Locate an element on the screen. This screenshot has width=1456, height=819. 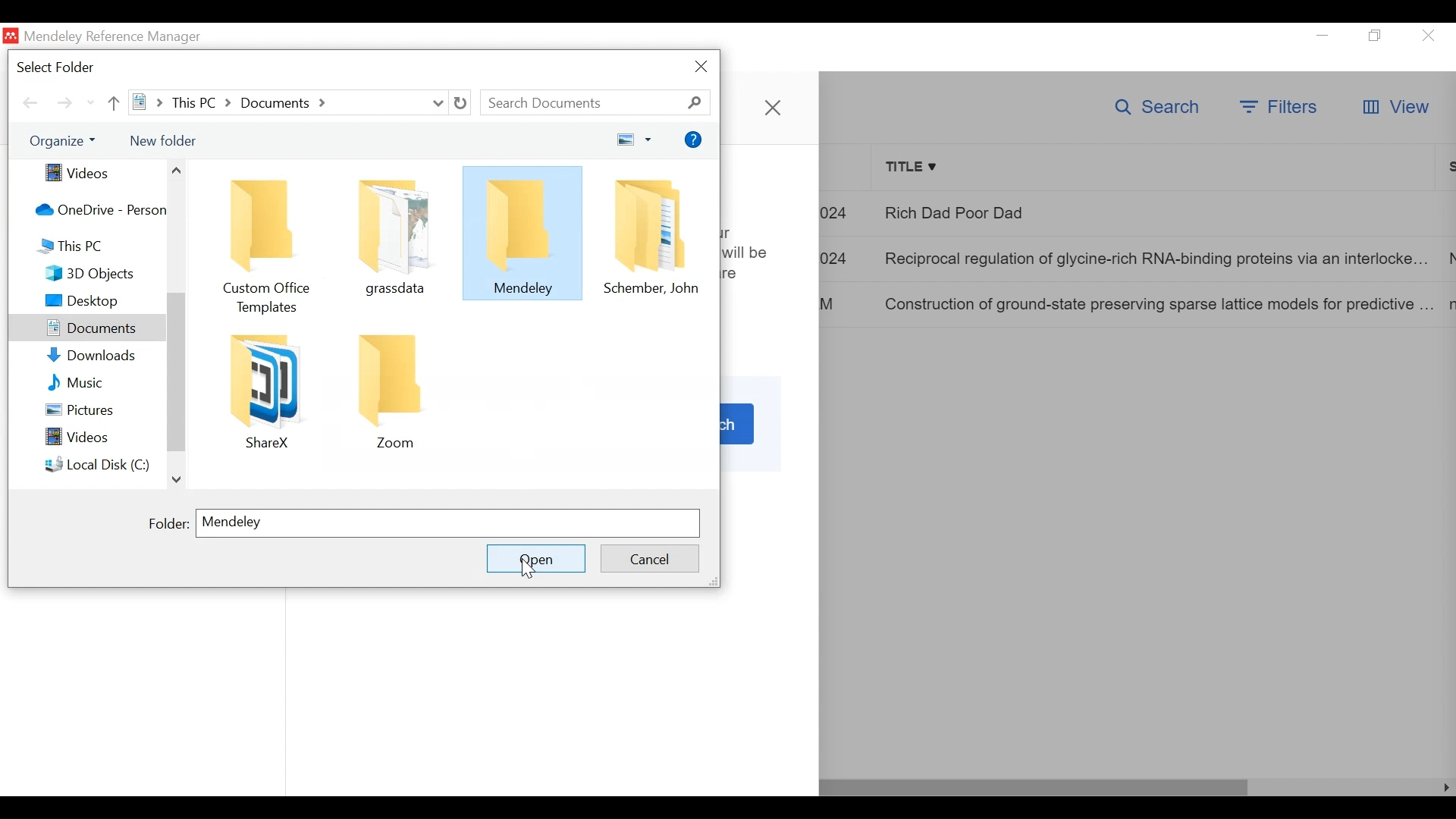
Change your View is located at coordinates (636, 139).